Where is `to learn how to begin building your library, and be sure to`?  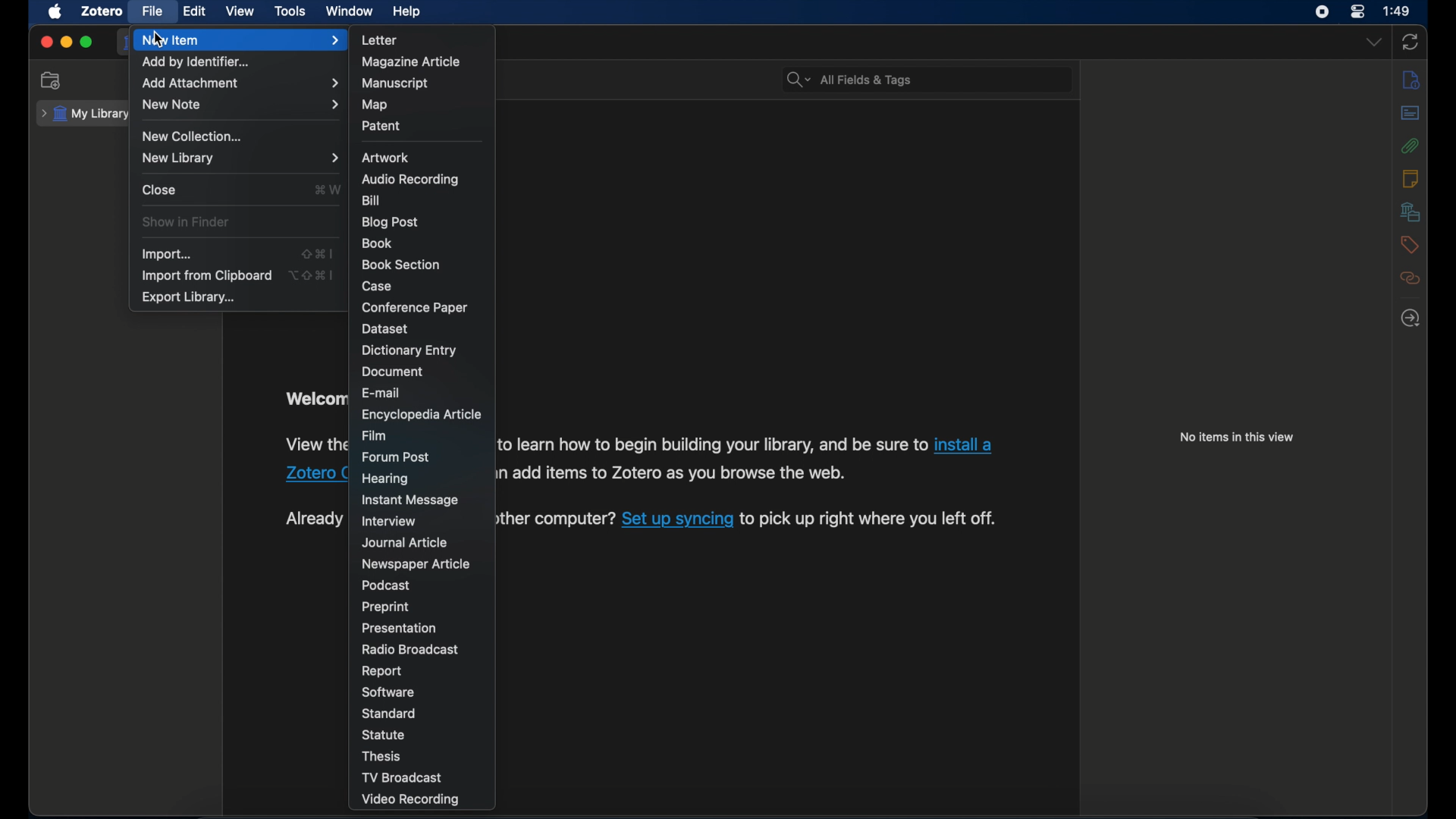 to learn how to begin building your library, and be sure to is located at coordinates (712, 444).